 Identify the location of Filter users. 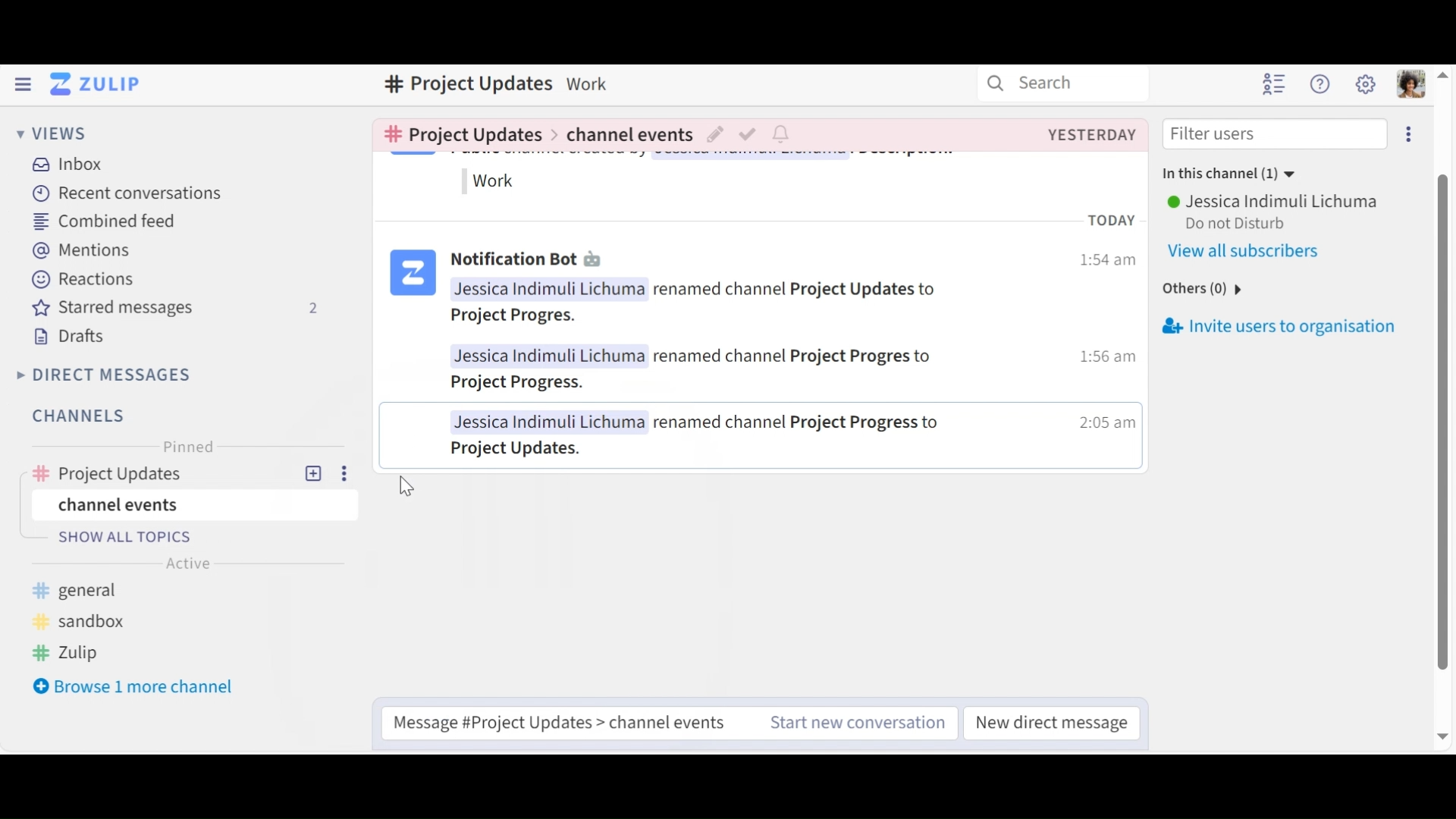
(1276, 134).